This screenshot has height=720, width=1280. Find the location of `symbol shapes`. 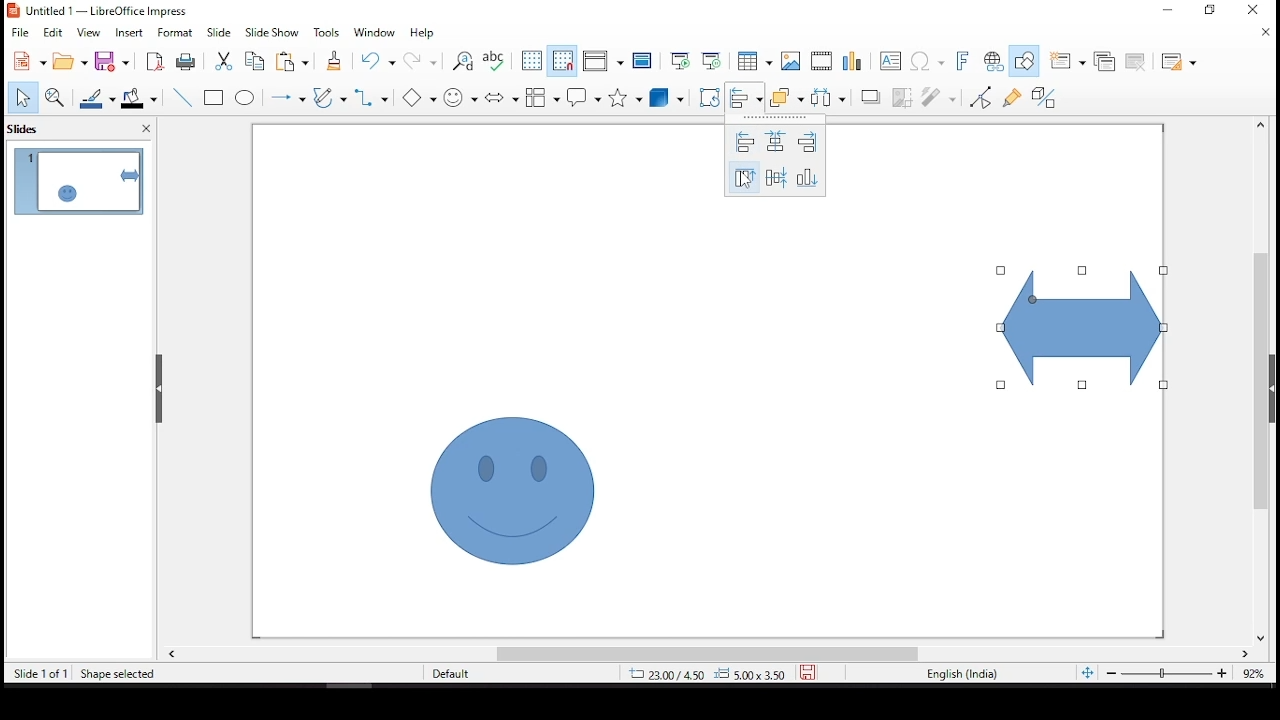

symbol shapes is located at coordinates (463, 96).